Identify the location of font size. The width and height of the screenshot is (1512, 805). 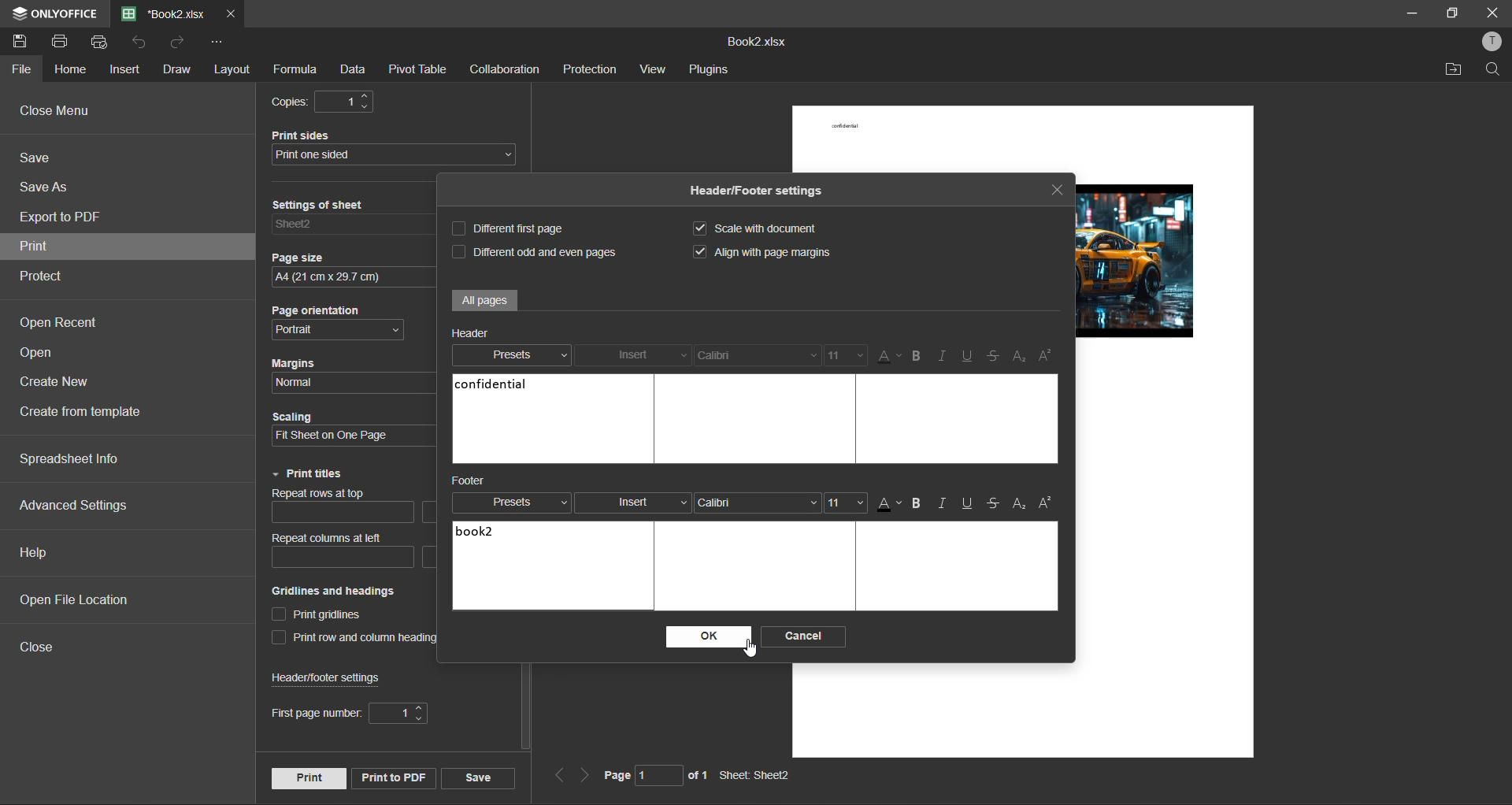
(846, 503).